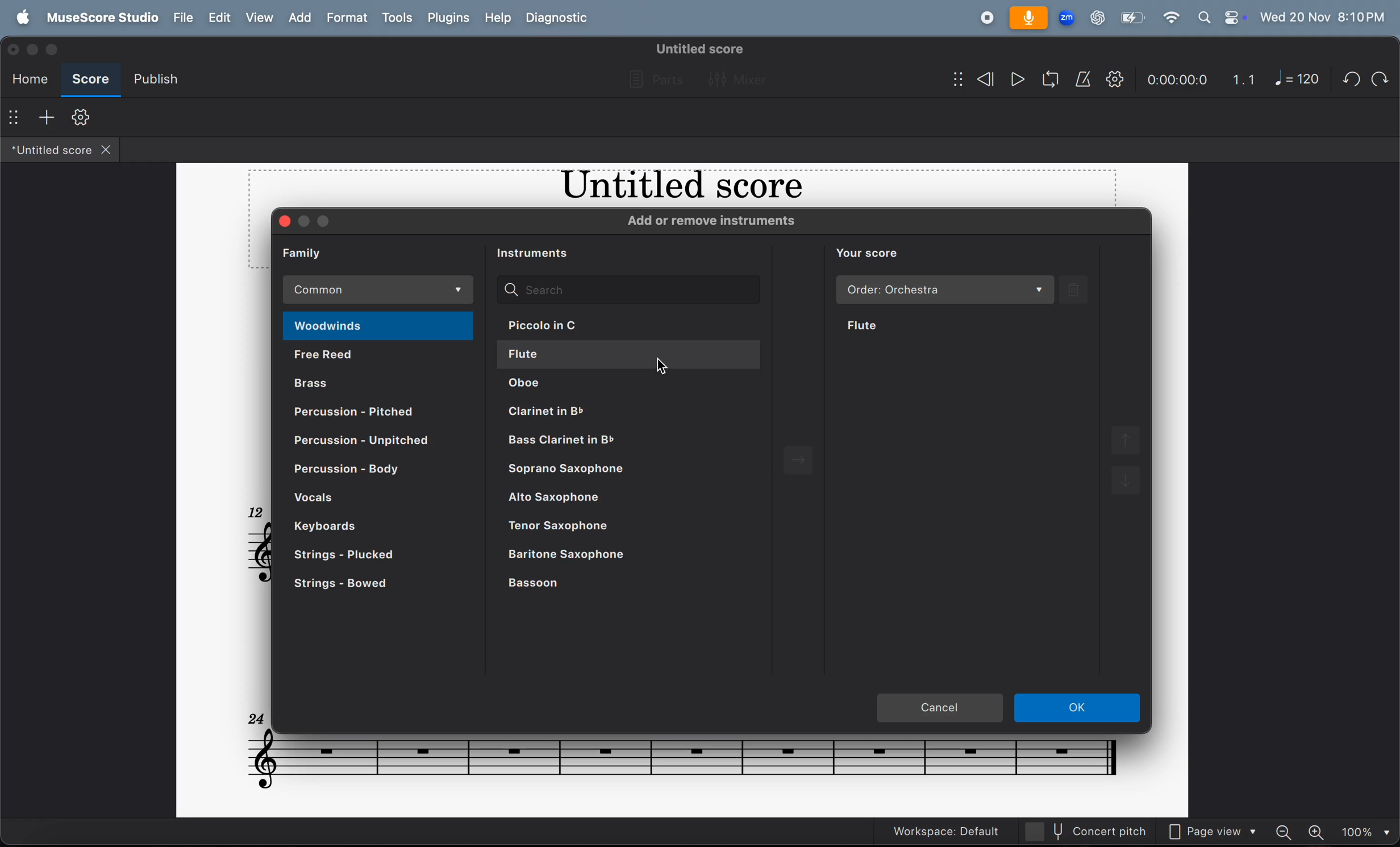 This screenshot has height=847, width=1400. What do you see at coordinates (285, 223) in the screenshot?
I see `close` at bounding box center [285, 223].